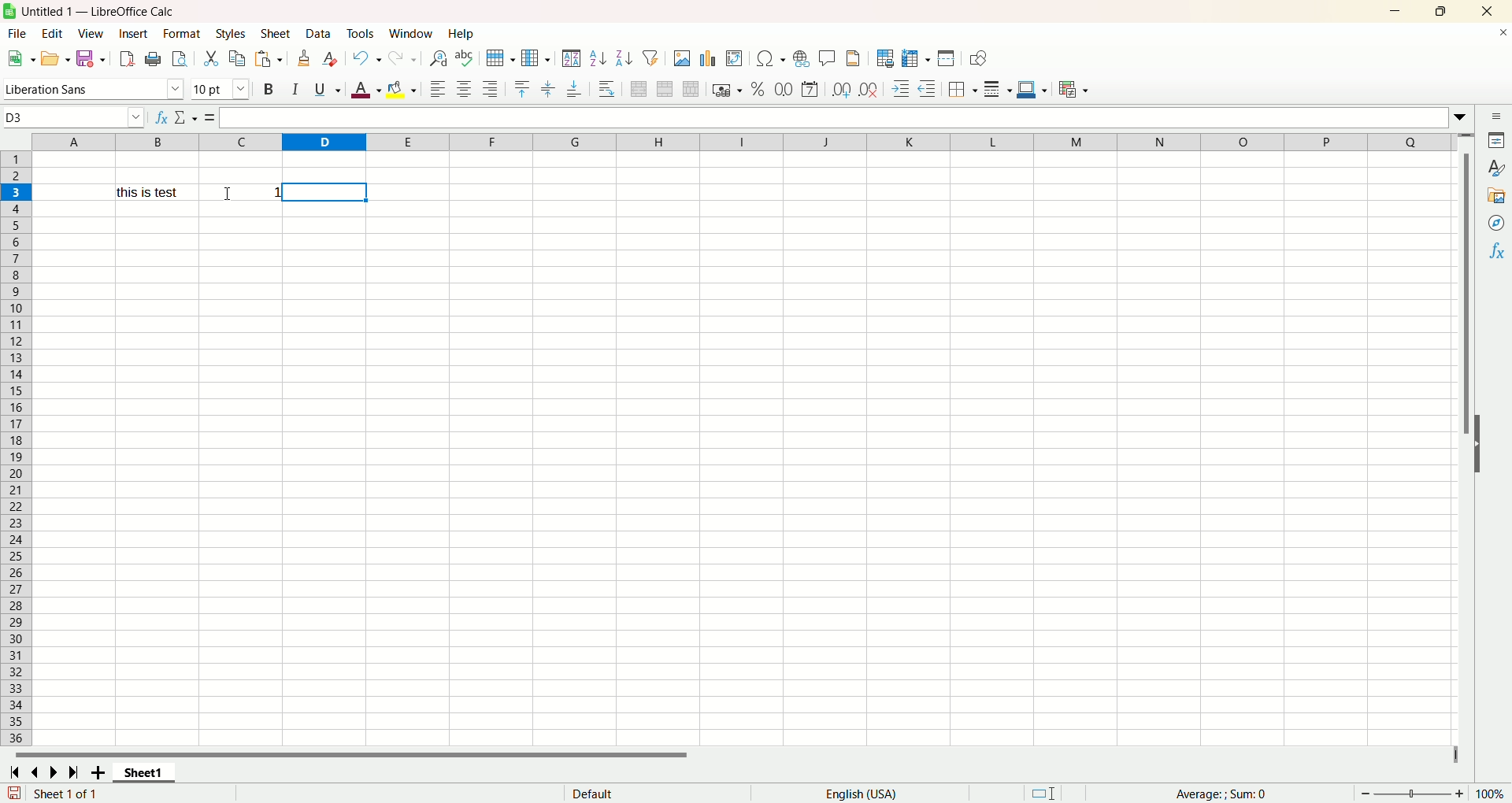  Describe the element at coordinates (1480, 443) in the screenshot. I see `show` at that location.